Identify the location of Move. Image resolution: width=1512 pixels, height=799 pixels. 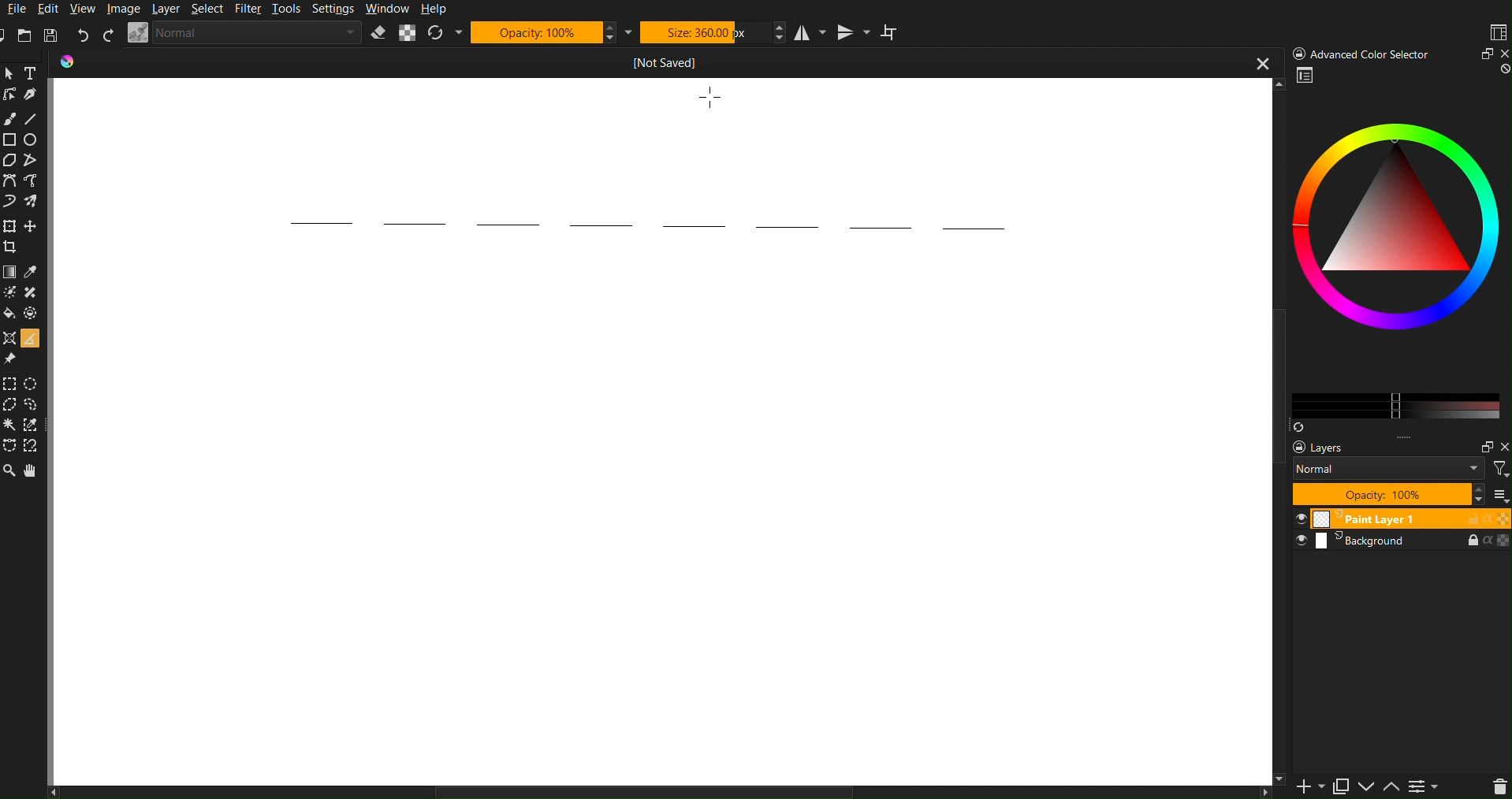
(34, 225).